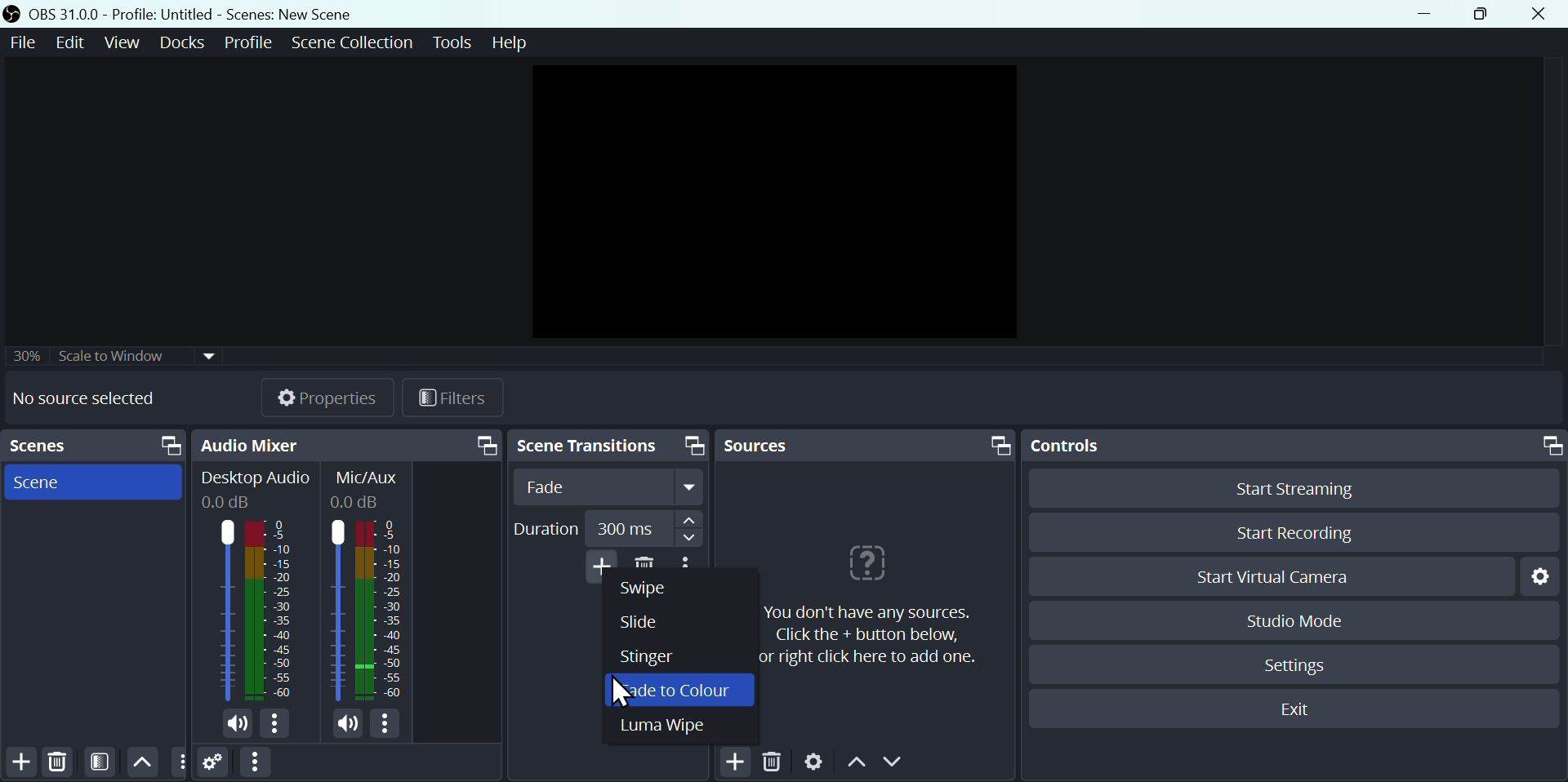 The image size is (1568, 782). I want to click on help, so click(862, 600).